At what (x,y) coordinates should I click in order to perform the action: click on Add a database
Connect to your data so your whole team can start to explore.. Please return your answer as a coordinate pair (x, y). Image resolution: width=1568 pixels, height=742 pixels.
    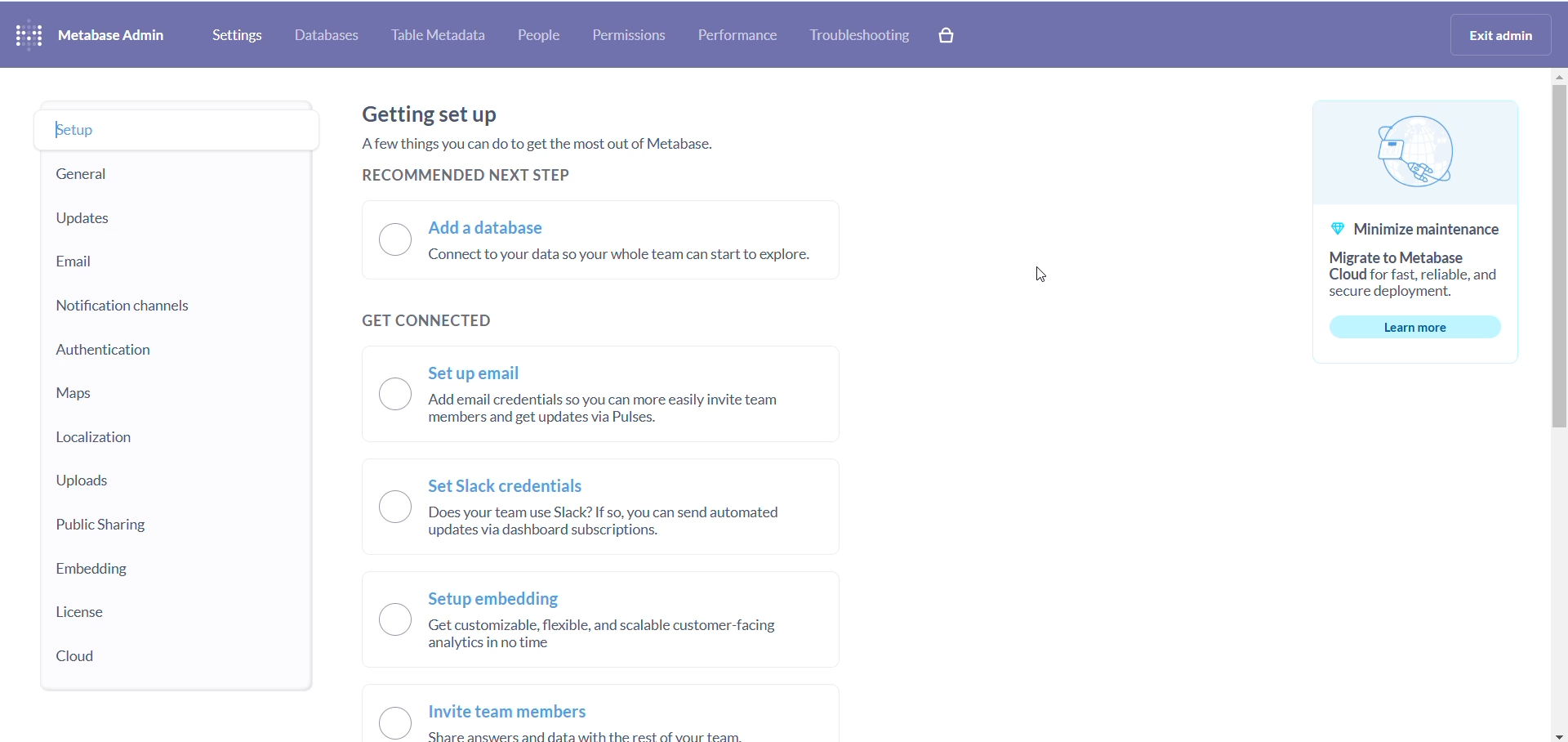
    Looking at the image, I should click on (629, 246).